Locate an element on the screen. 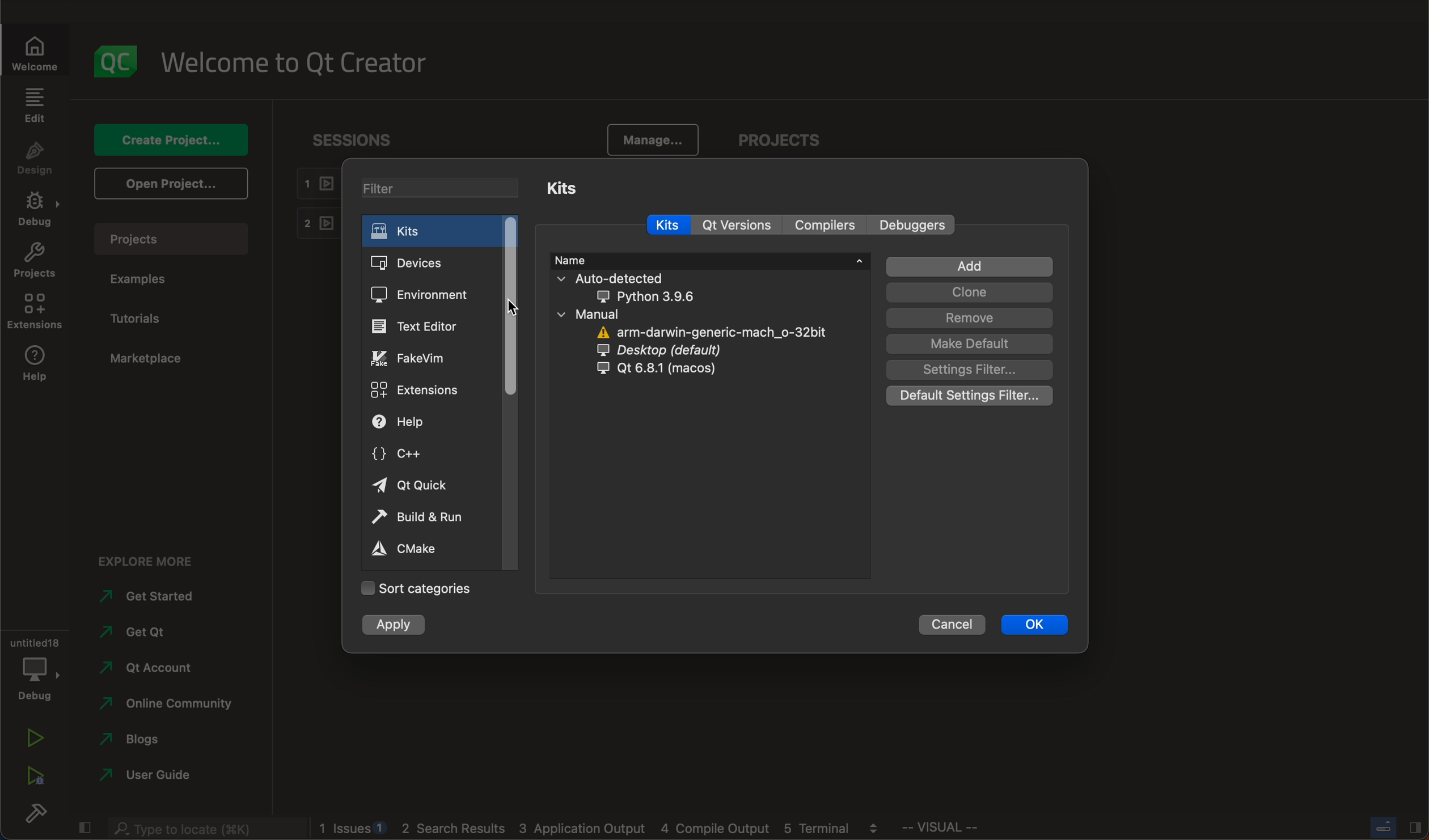 This screenshot has height=840, width=1429. build is located at coordinates (32, 815).